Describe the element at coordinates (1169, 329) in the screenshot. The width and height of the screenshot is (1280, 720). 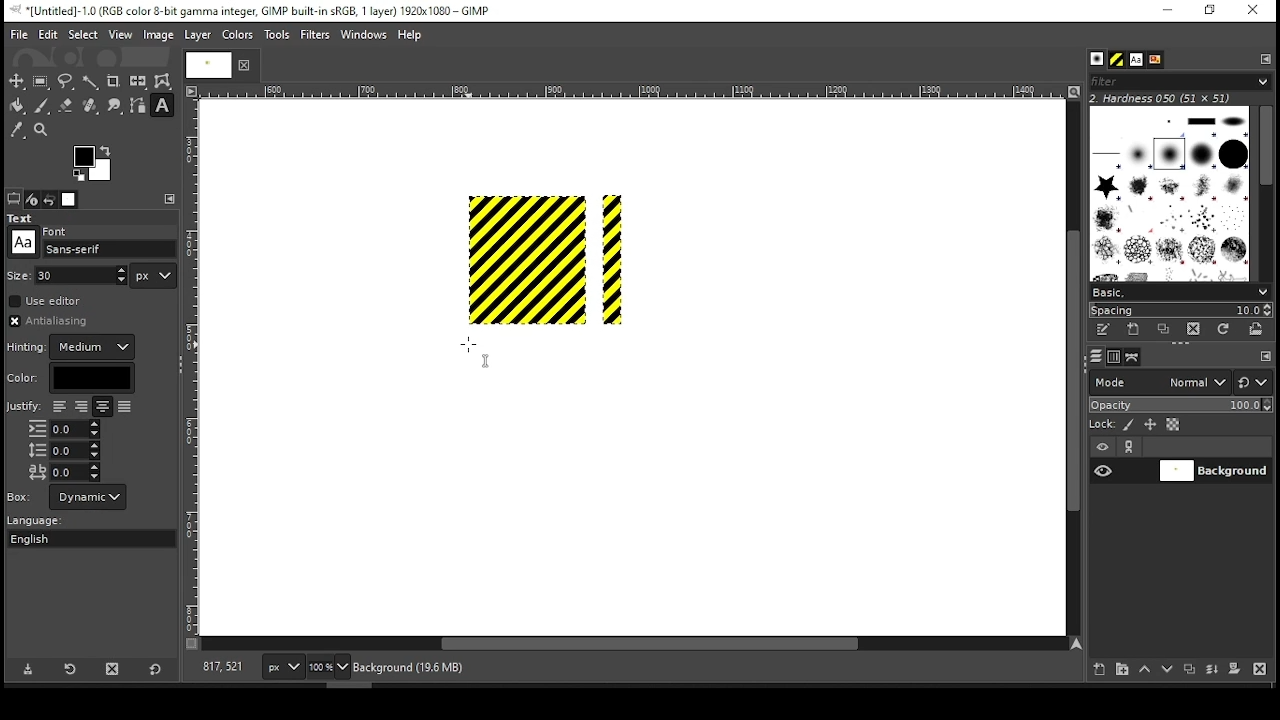
I see `duplicate this brush` at that location.